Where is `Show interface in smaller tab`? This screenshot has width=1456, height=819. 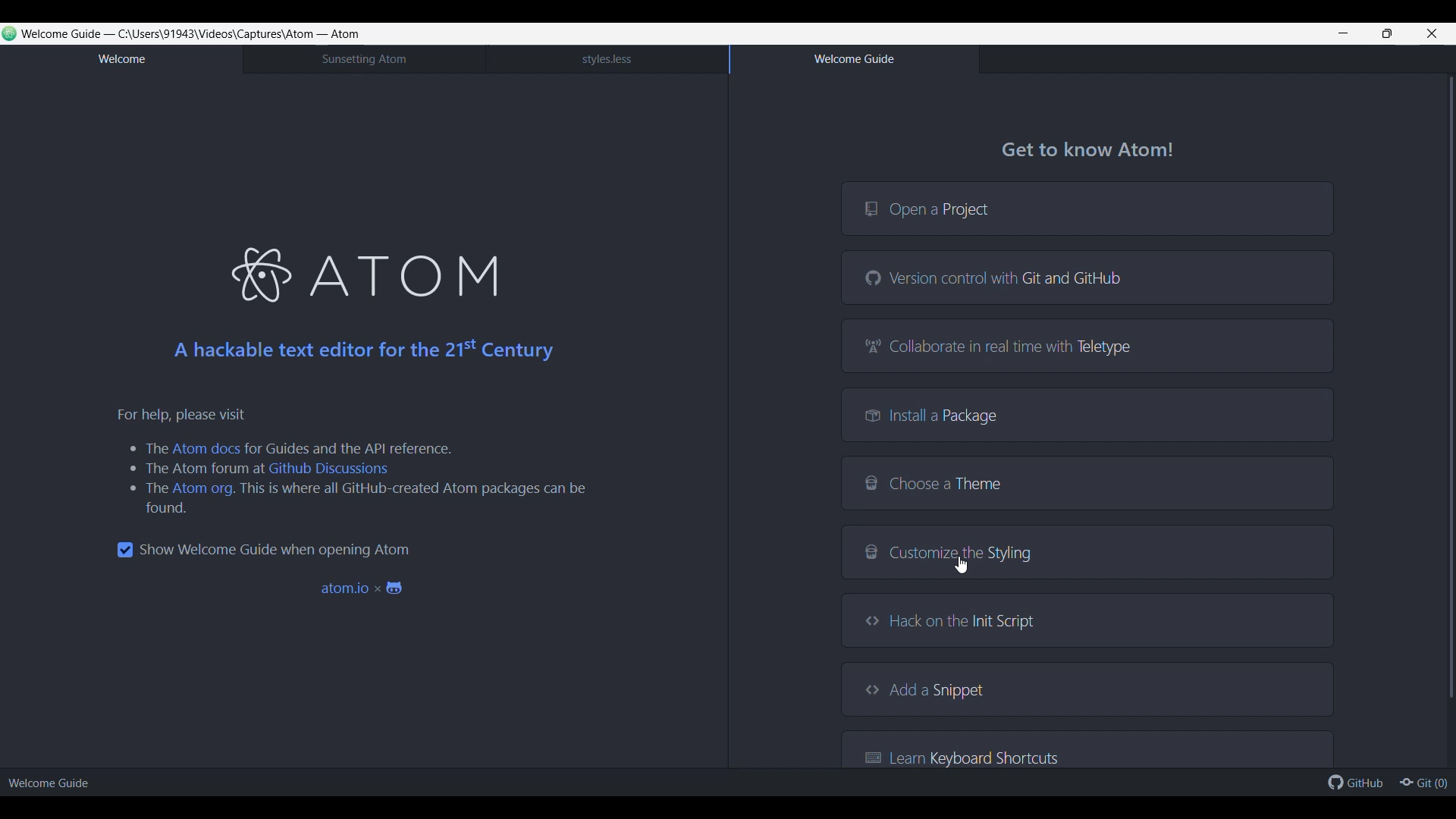
Show interface in smaller tab is located at coordinates (1387, 33).